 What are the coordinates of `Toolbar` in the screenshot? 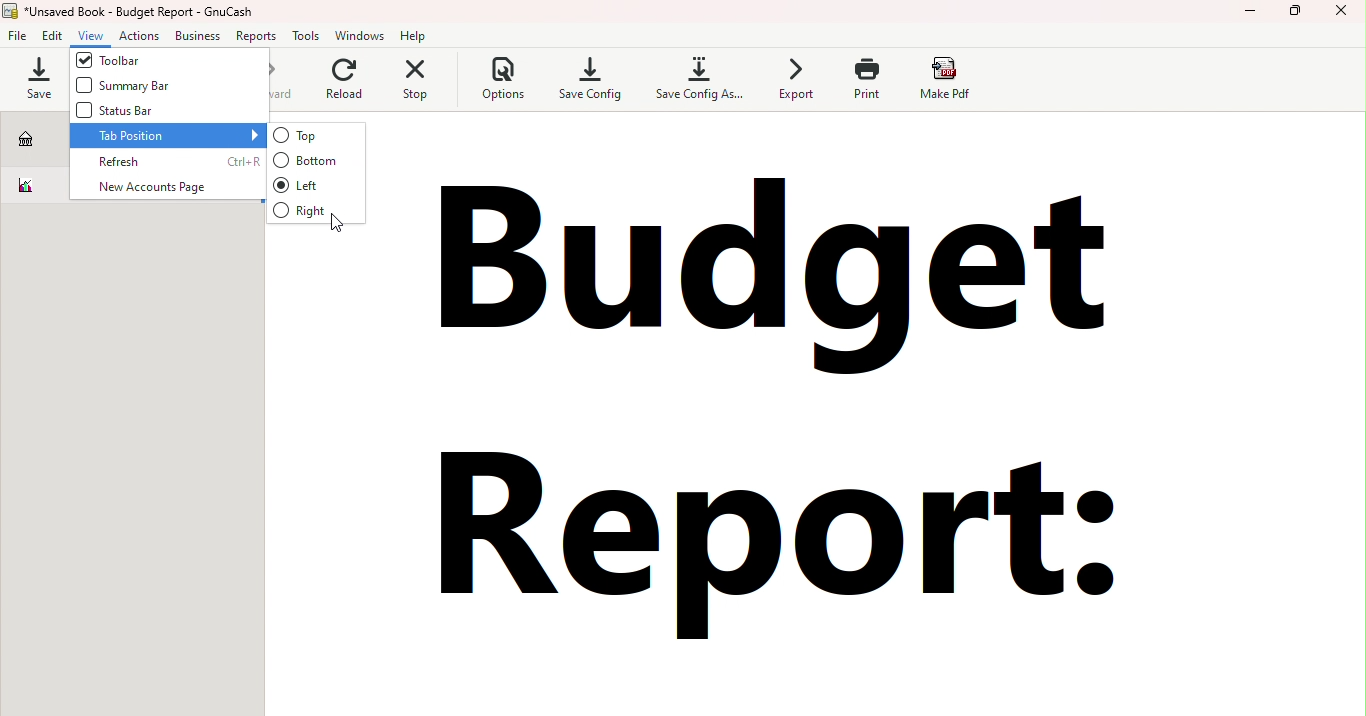 It's located at (167, 61).